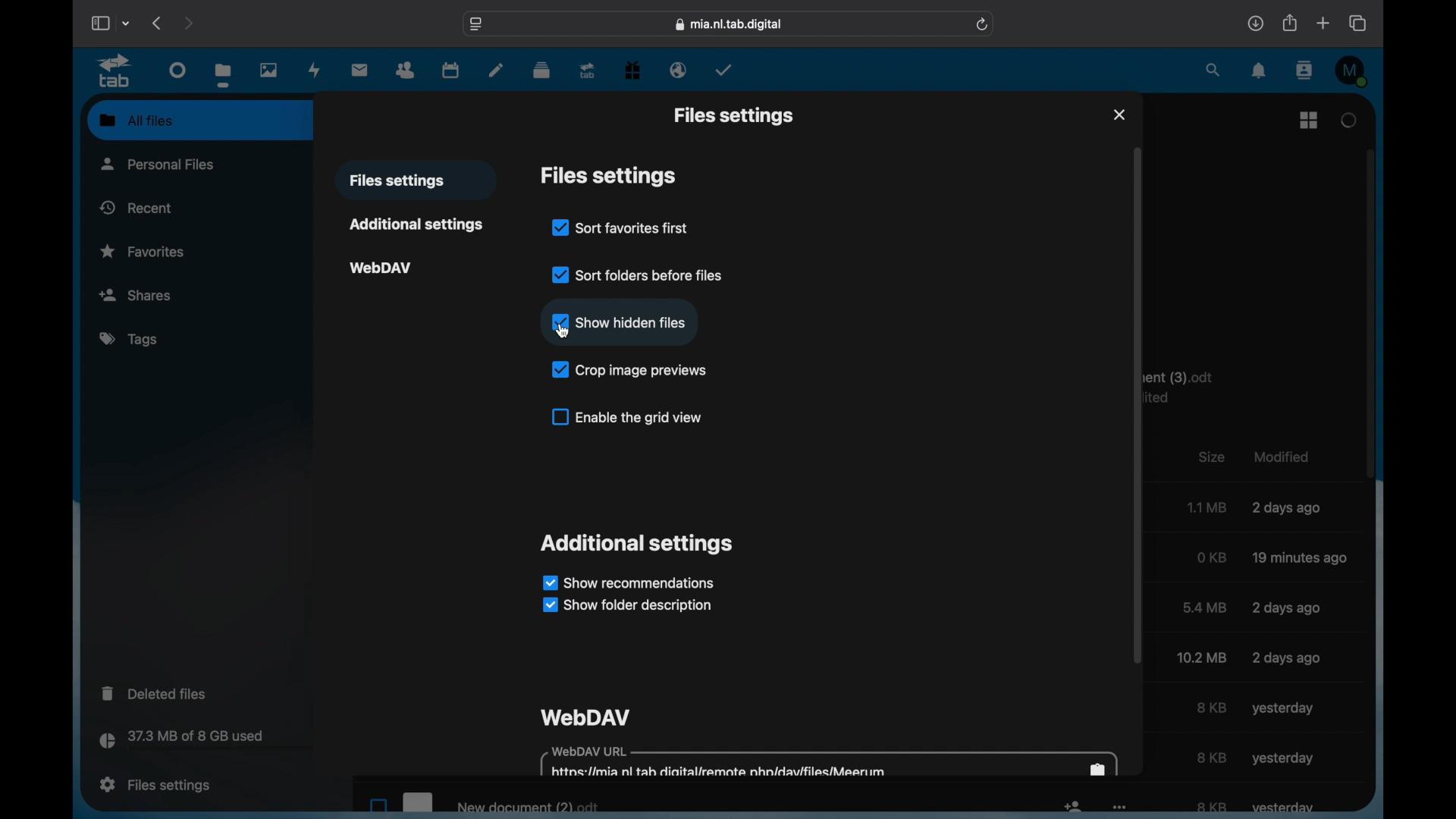 The image size is (1456, 819). What do you see at coordinates (1351, 71) in the screenshot?
I see `M` at bounding box center [1351, 71].